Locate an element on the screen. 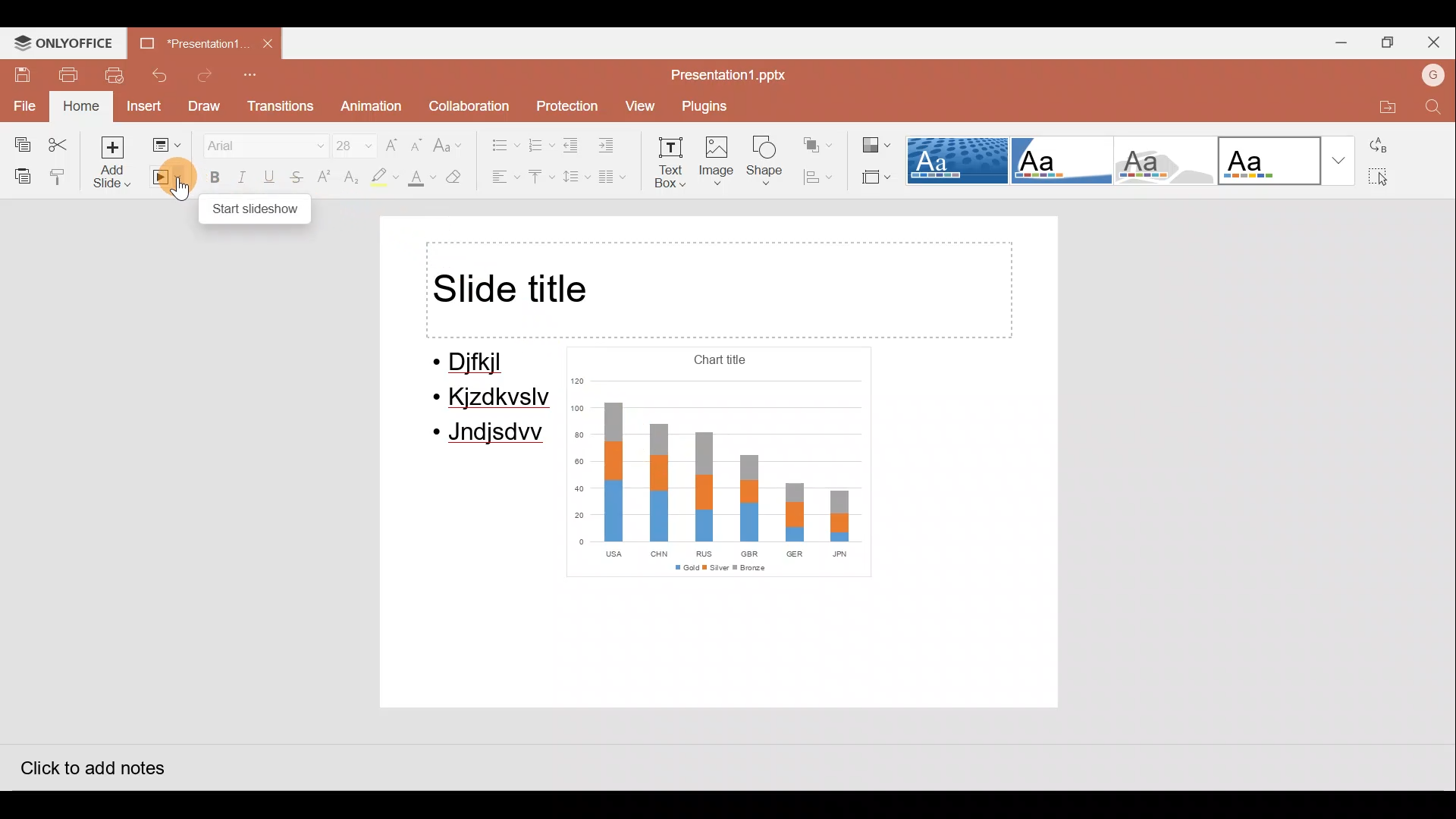  Find is located at coordinates (1432, 108).